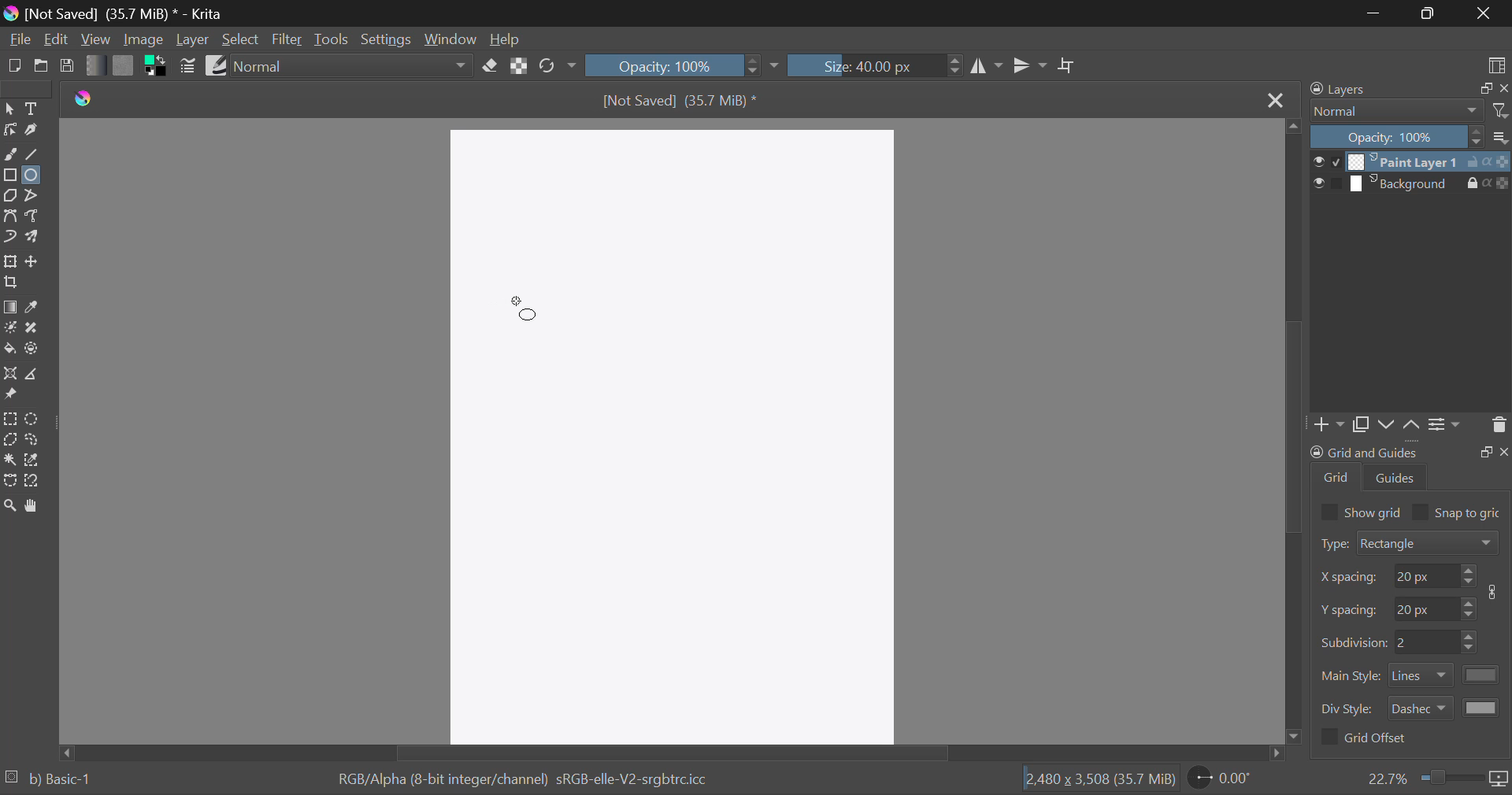 This screenshot has height=795, width=1512. Describe the element at coordinates (559, 67) in the screenshot. I see `Rotate` at that location.